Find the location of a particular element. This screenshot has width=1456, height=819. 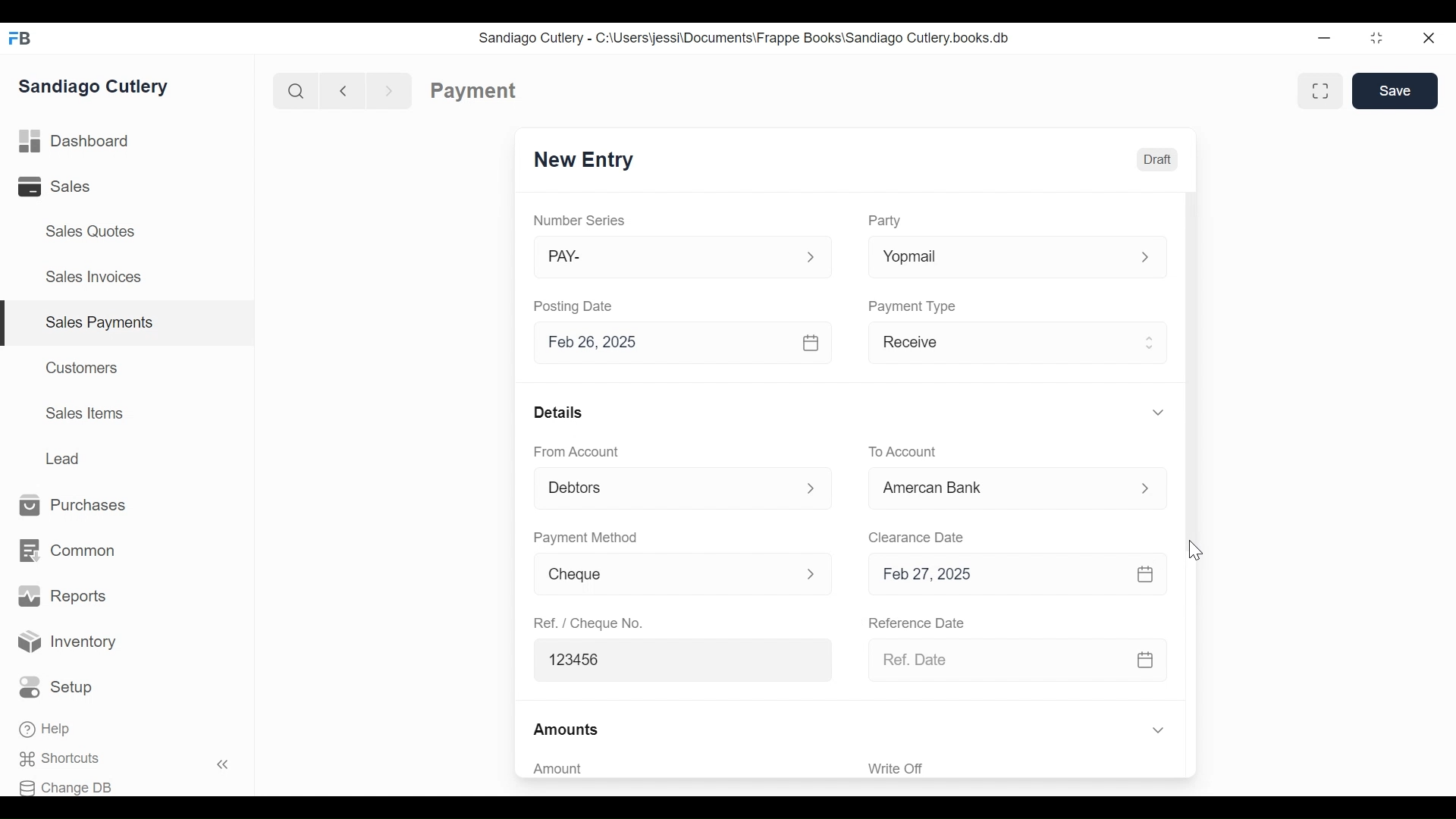

Payment Method is located at coordinates (585, 538).